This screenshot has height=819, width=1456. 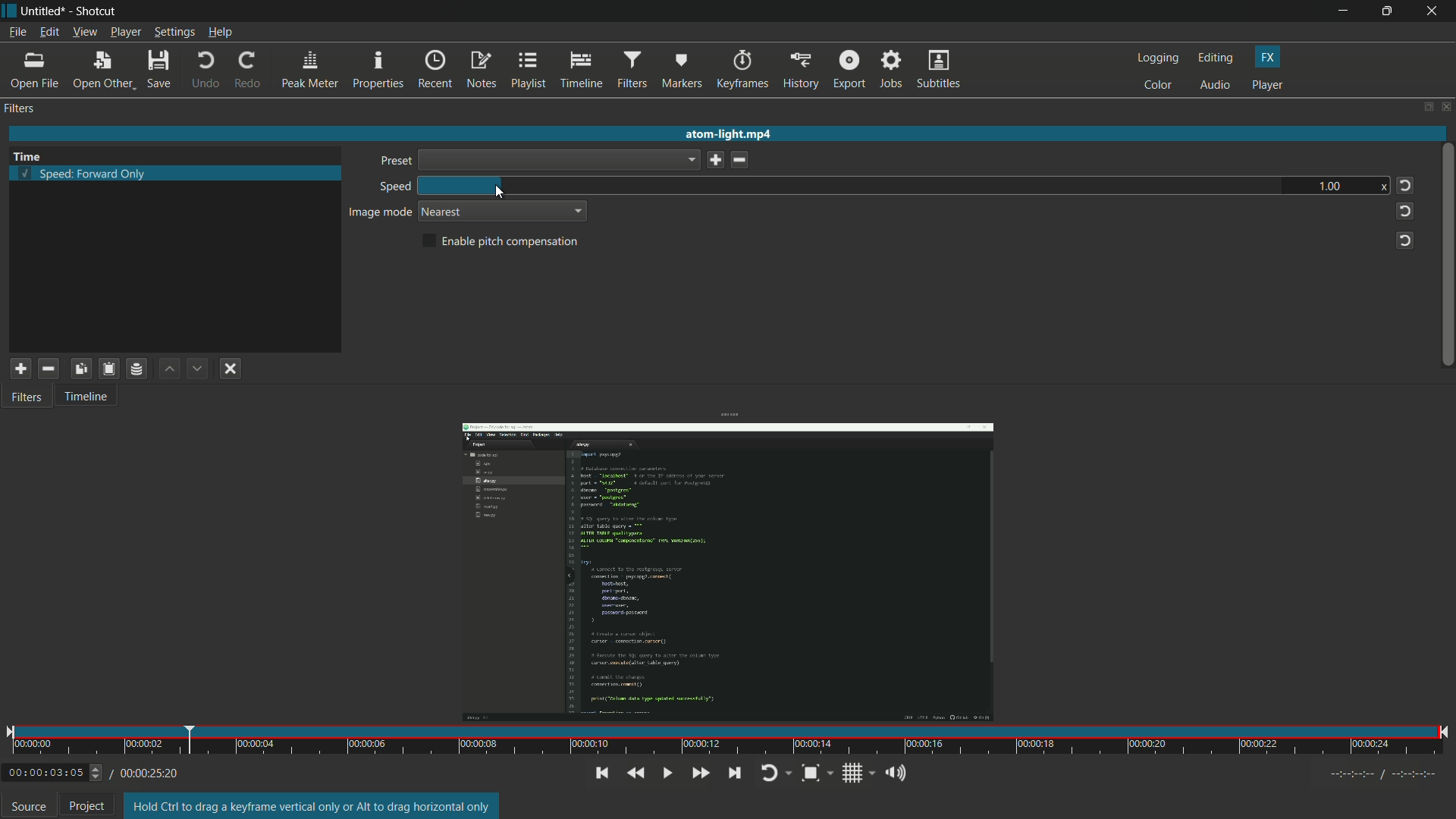 What do you see at coordinates (17, 32) in the screenshot?
I see `file menu` at bounding box center [17, 32].